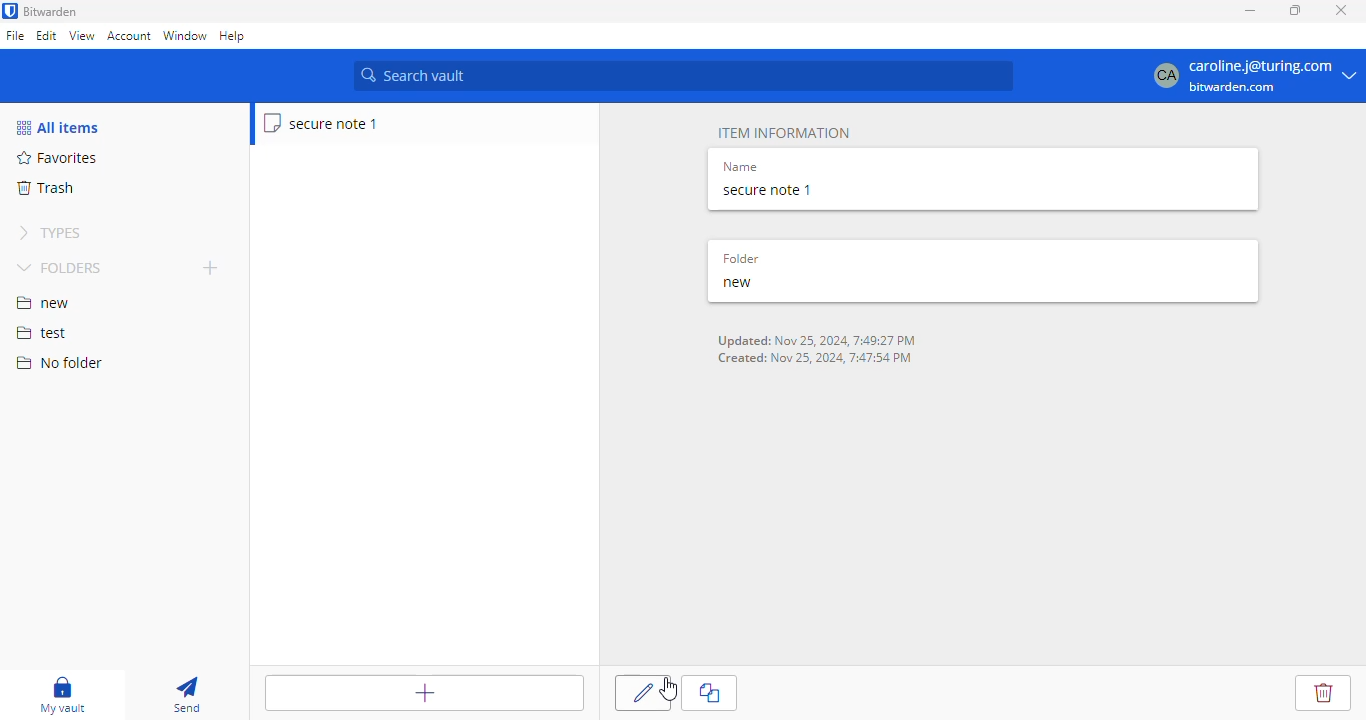  Describe the element at coordinates (15, 37) in the screenshot. I see `file` at that location.